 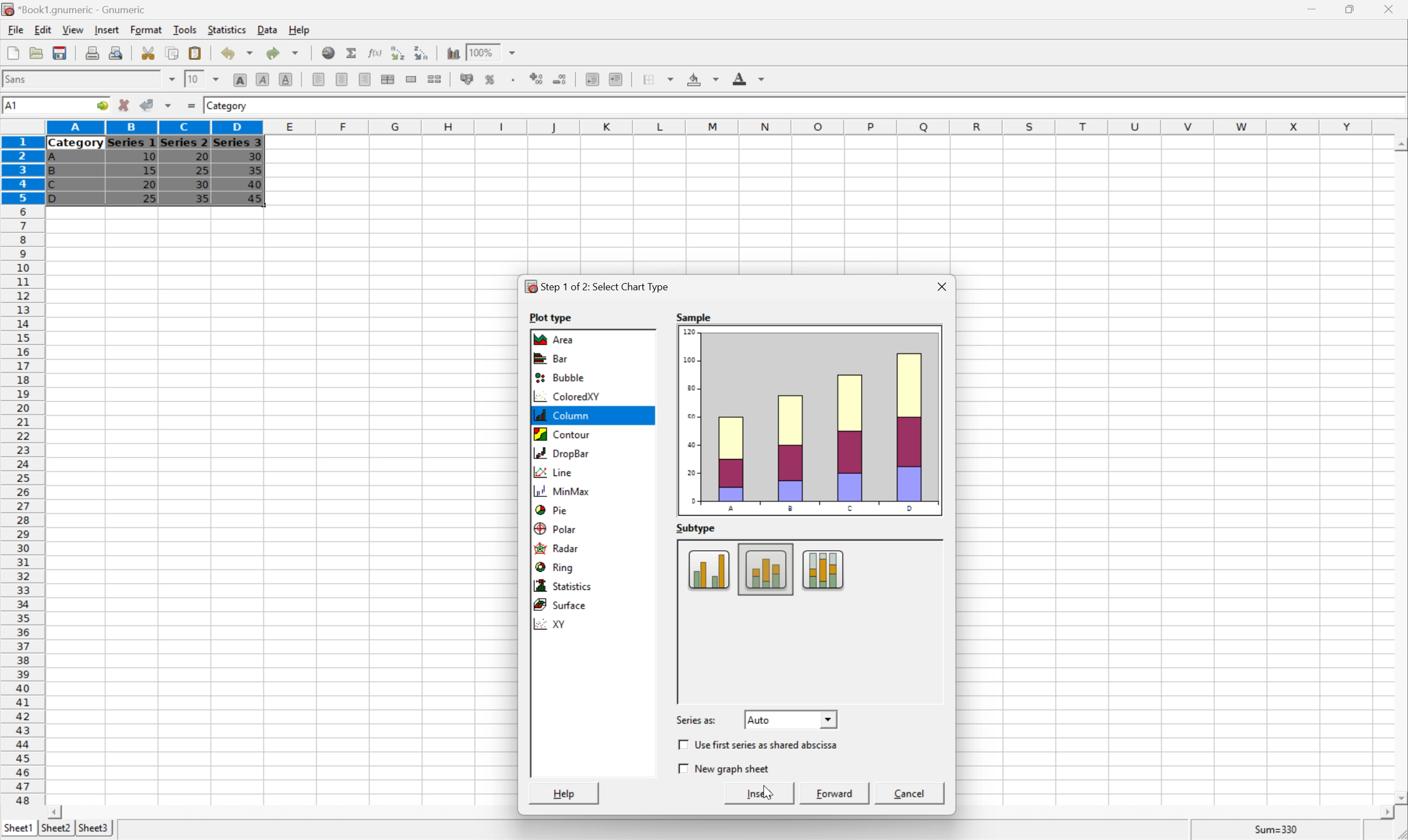 What do you see at coordinates (254, 156) in the screenshot?
I see `30` at bounding box center [254, 156].